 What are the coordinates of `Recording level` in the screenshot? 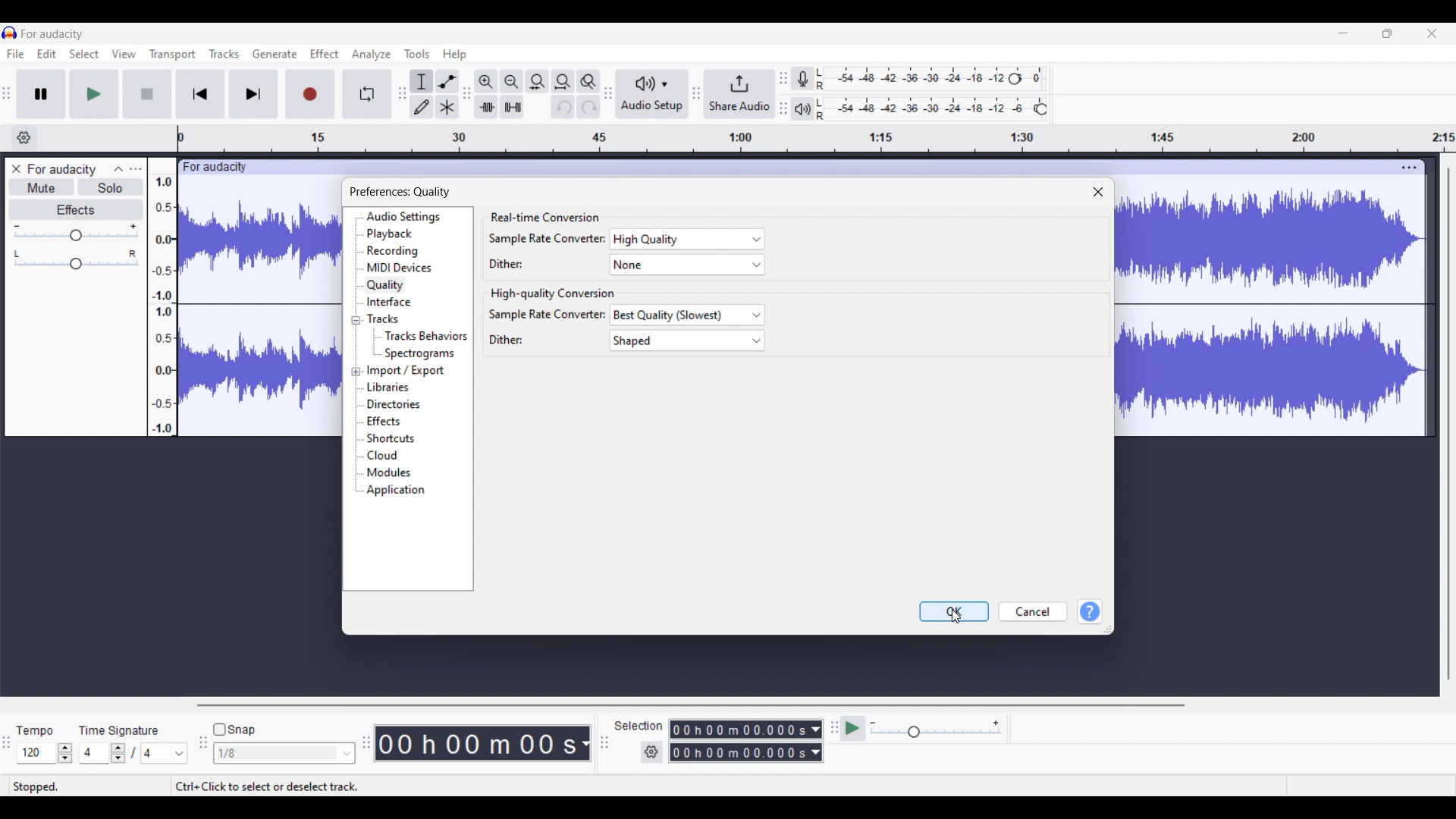 It's located at (909, 79).